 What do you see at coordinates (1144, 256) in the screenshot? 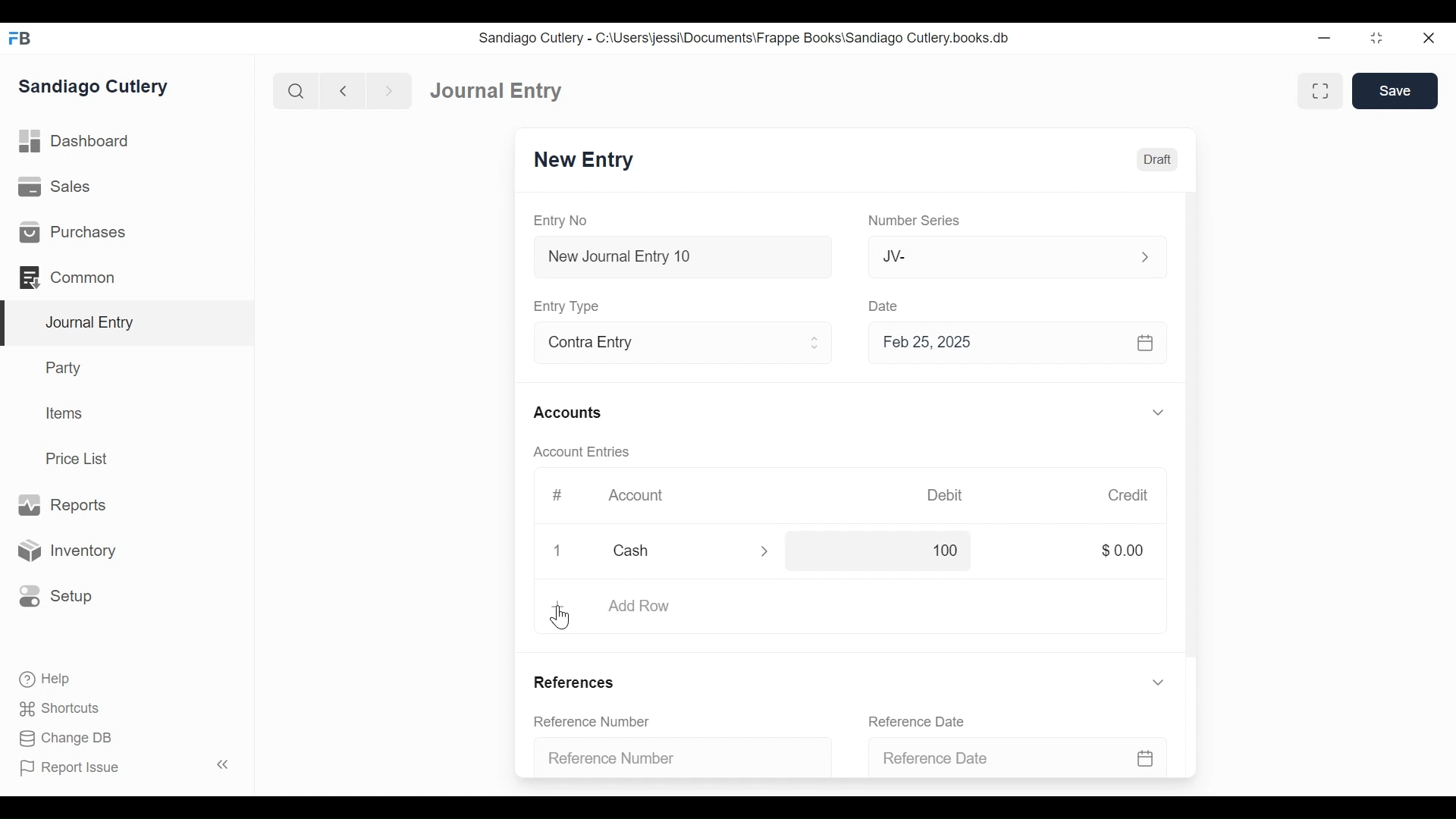
I see `Expand` at bounding box center [1144, 256].